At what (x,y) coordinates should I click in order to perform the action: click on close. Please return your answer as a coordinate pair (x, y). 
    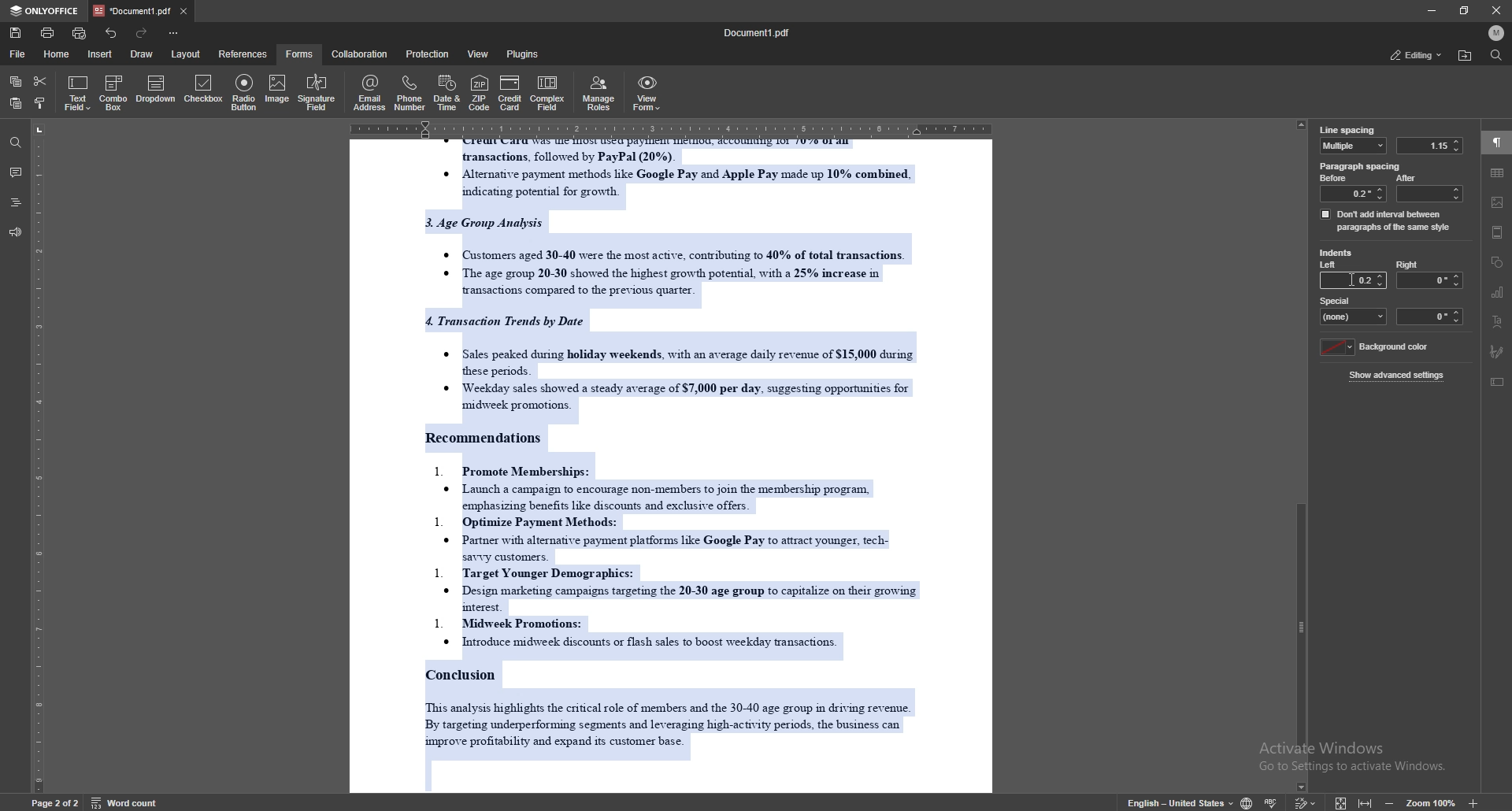
    Looking at the image, I should click on (1496, 10).